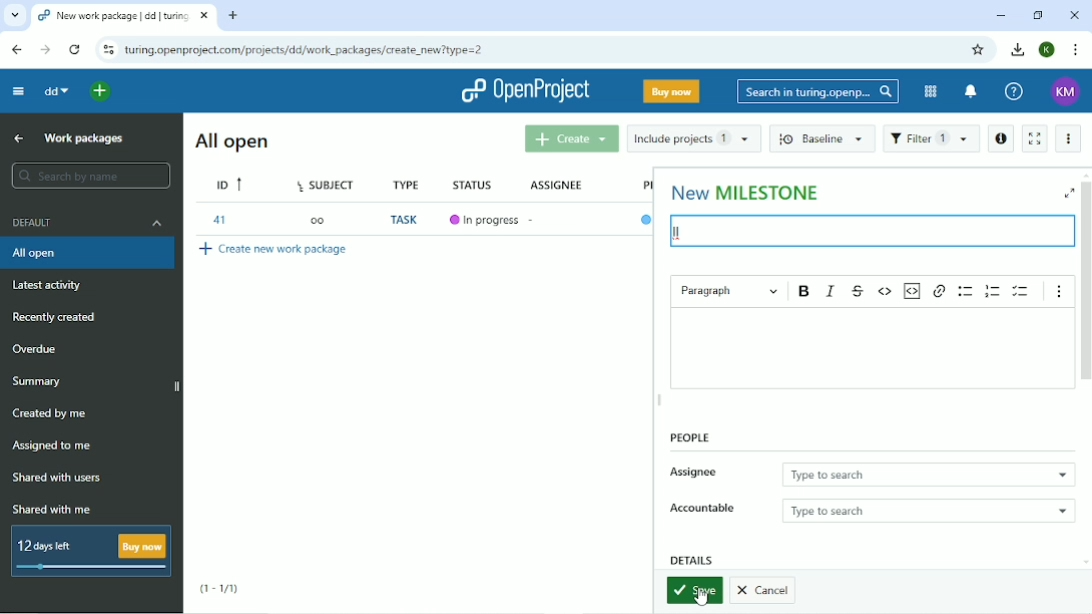  Describe the element at coordinates (231, 184) in the screenshot. I see `ID` at that location.